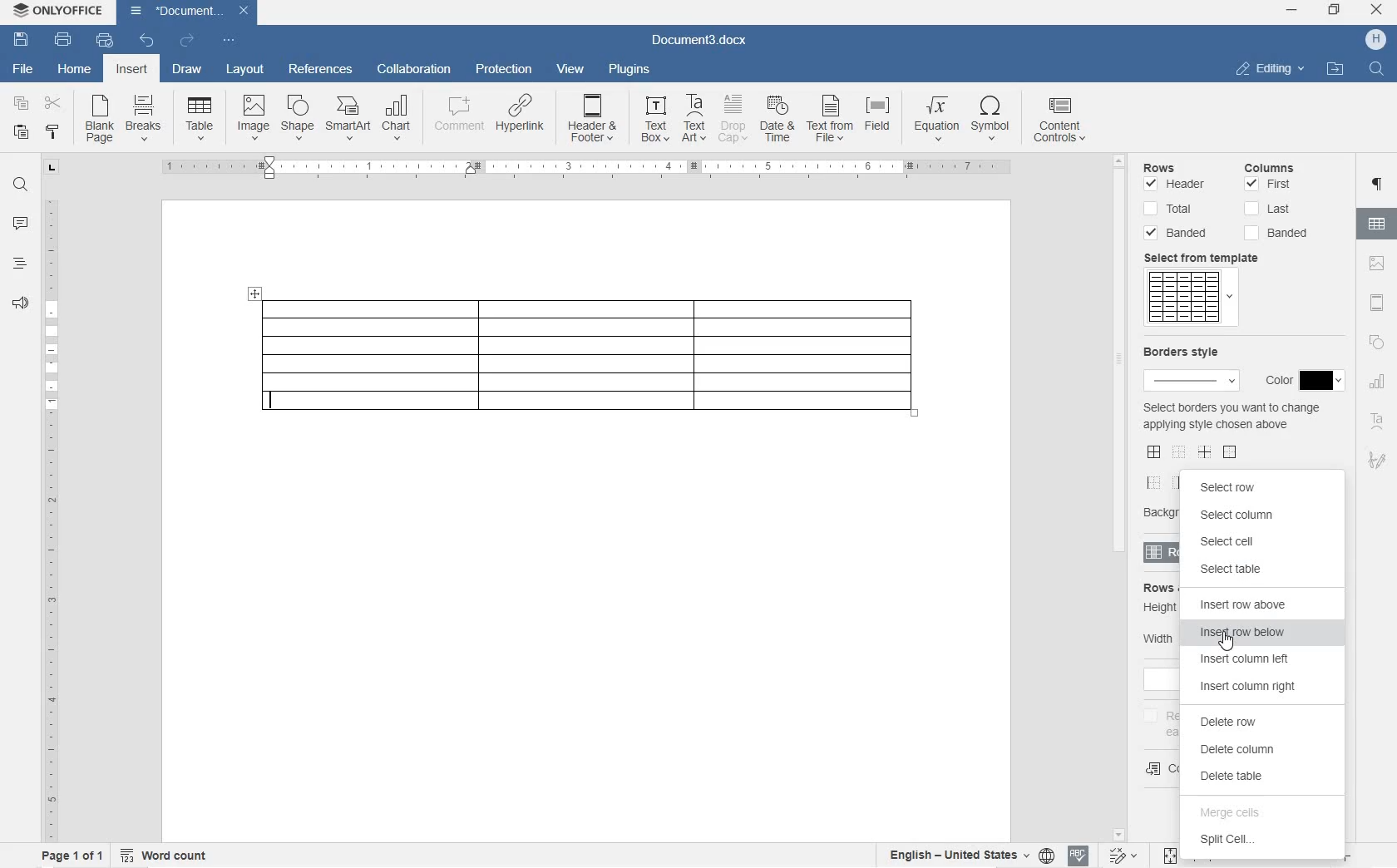 Image resolution: width=1397 pixels, height=868 pixels. What do you see at coordinates (1212, 258) in the screenshot?
I see `select from template` at bounding box center [1212, 258].